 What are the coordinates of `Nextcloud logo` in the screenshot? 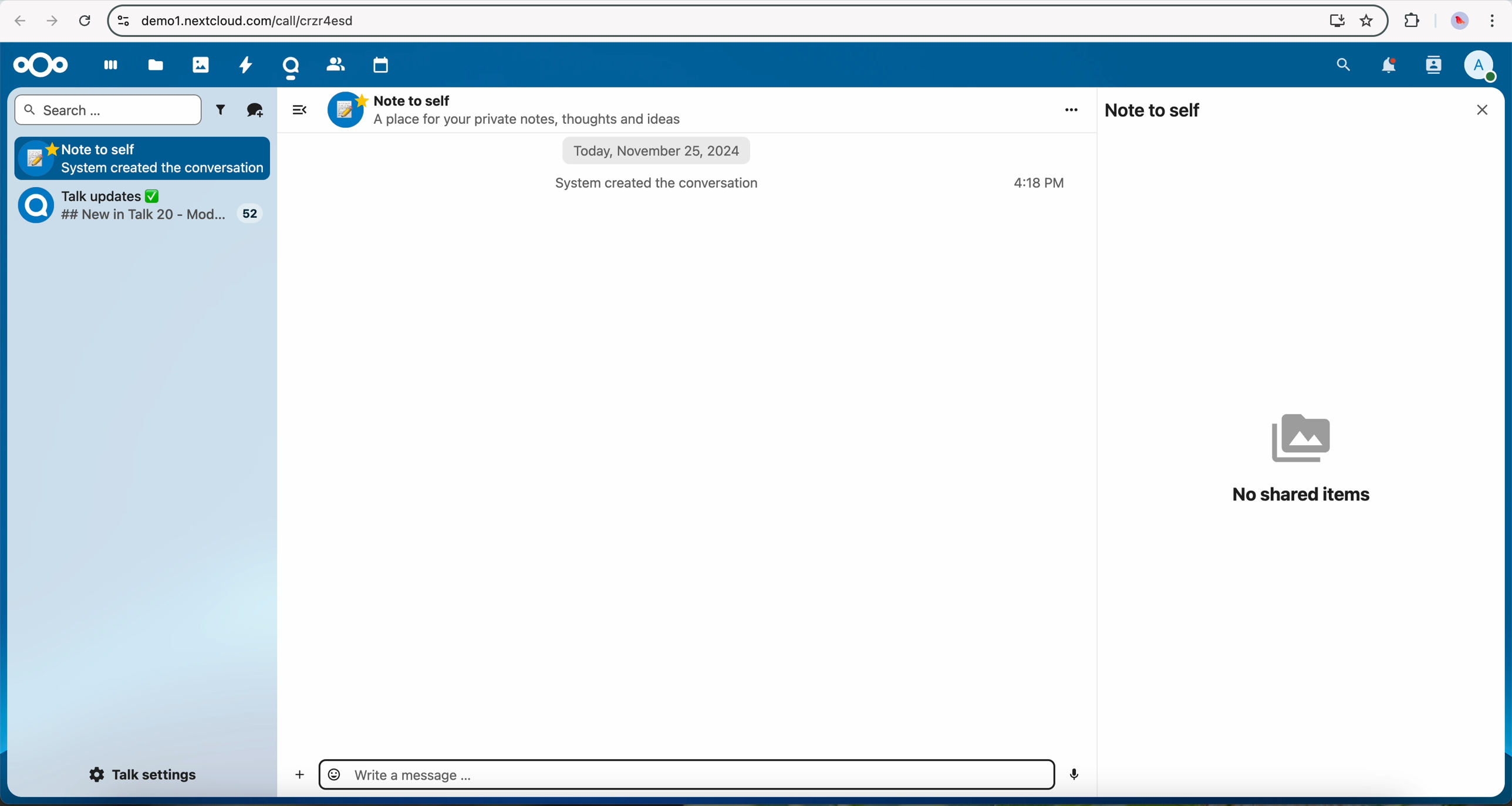 It's located at (39, 65).